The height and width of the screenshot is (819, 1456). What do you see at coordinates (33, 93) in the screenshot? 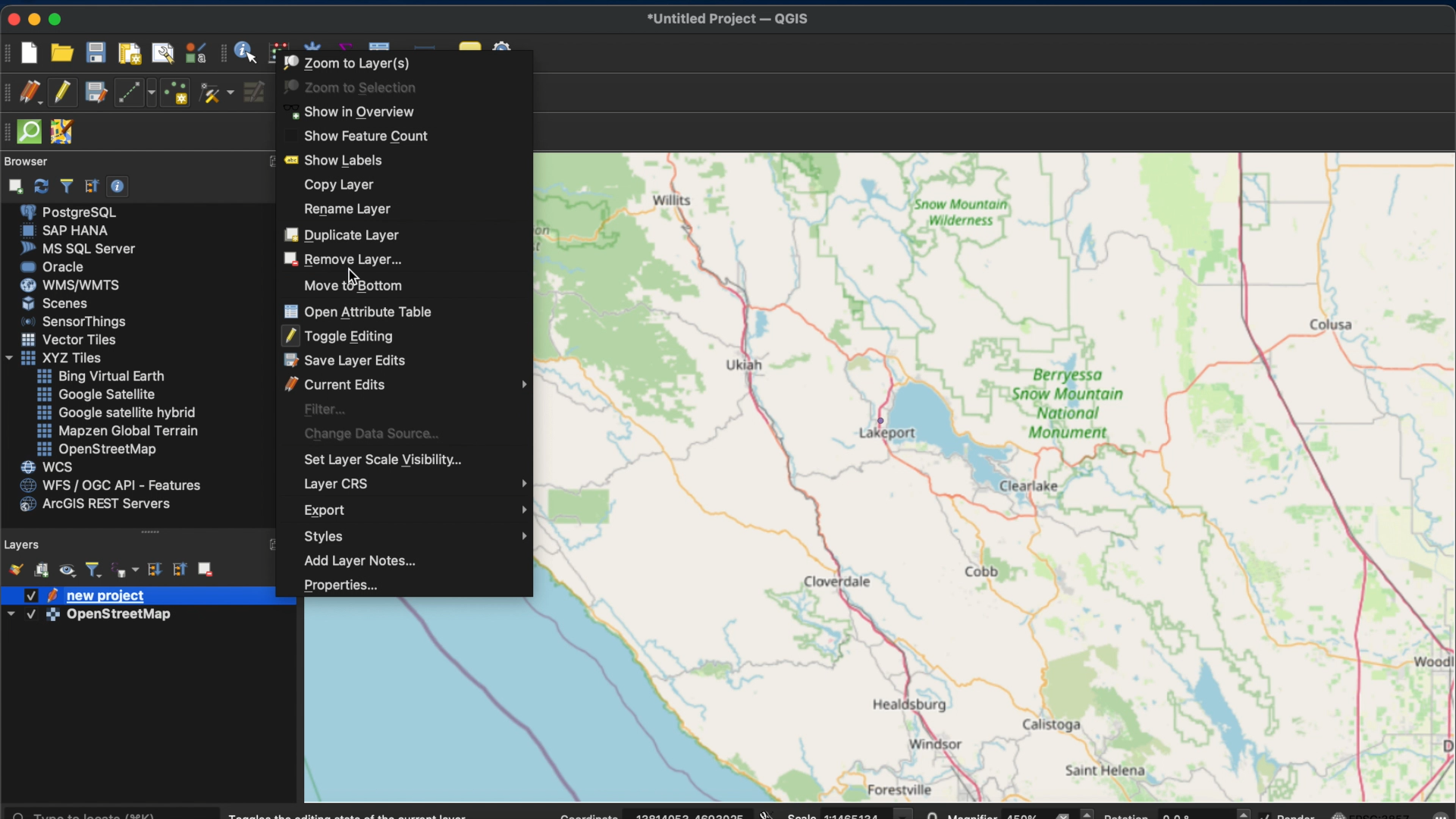
I see `current edits` at bounding box center [33, 93].